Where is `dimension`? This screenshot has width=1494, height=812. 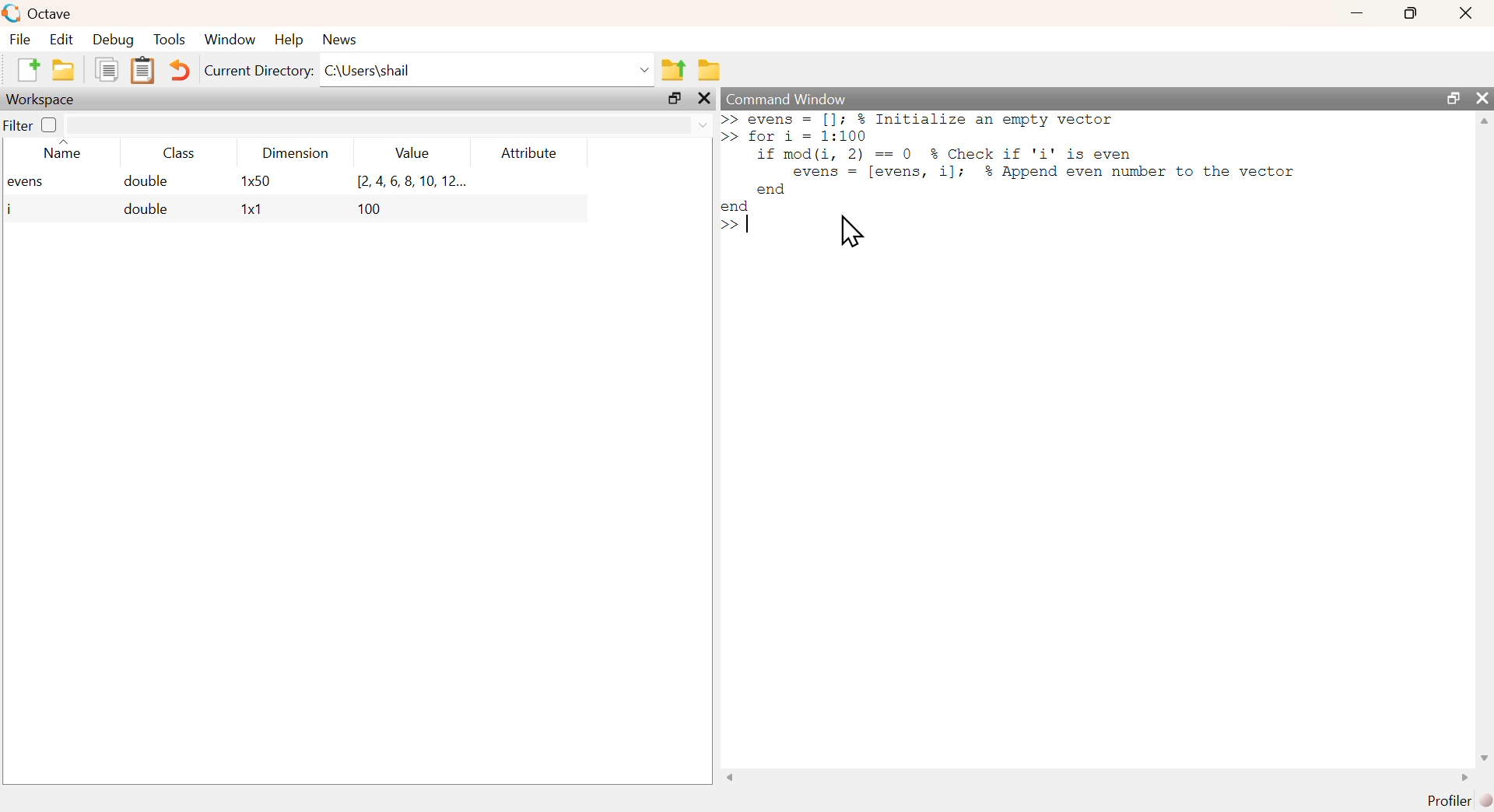
dimension is located at coordinates (291, 155).